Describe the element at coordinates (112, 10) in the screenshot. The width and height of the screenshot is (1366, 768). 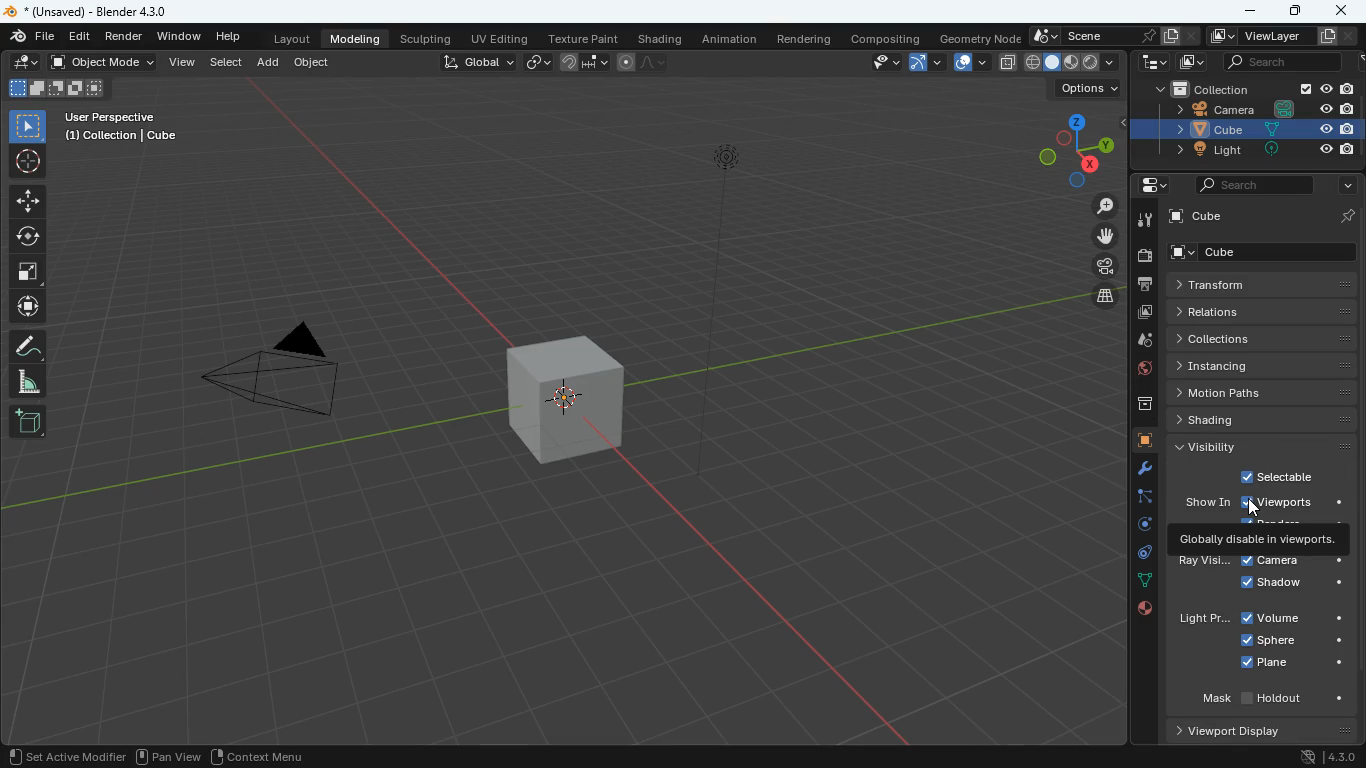
I see `blender` at that location.